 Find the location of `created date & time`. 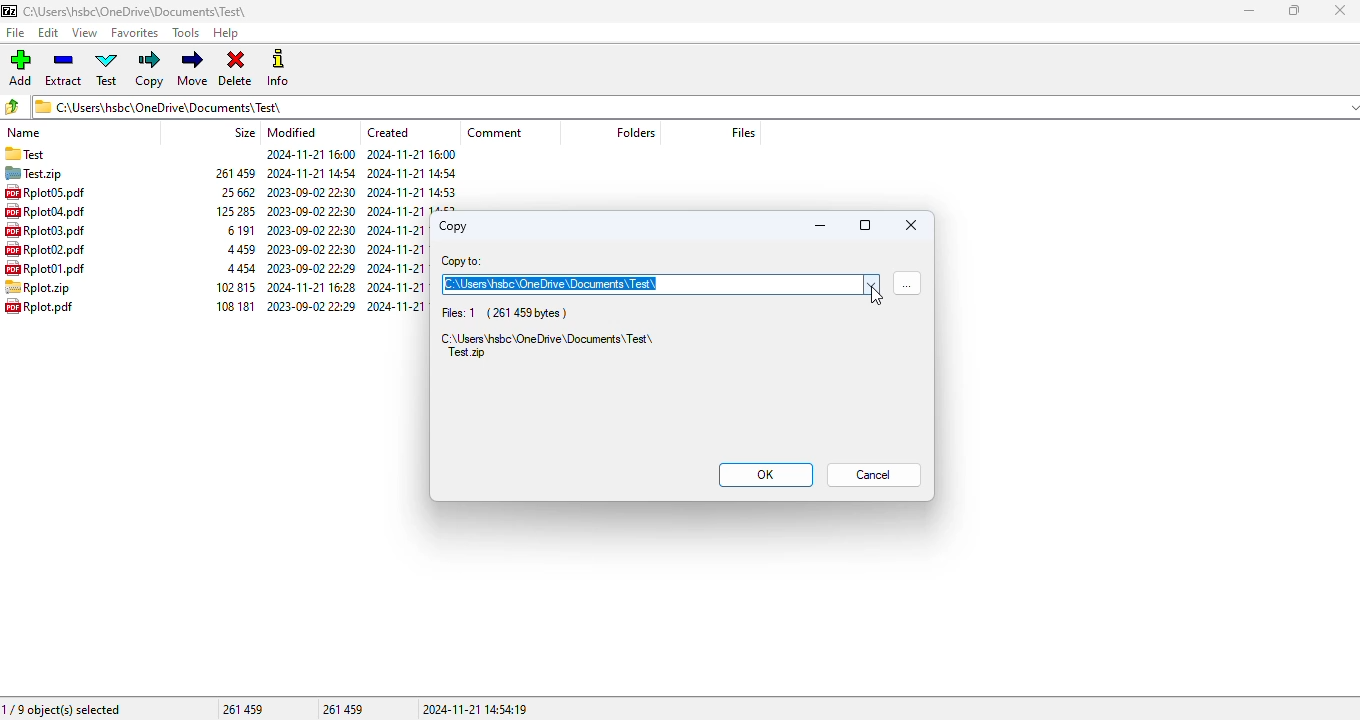

created date & time is located at coordinates (397, 305).